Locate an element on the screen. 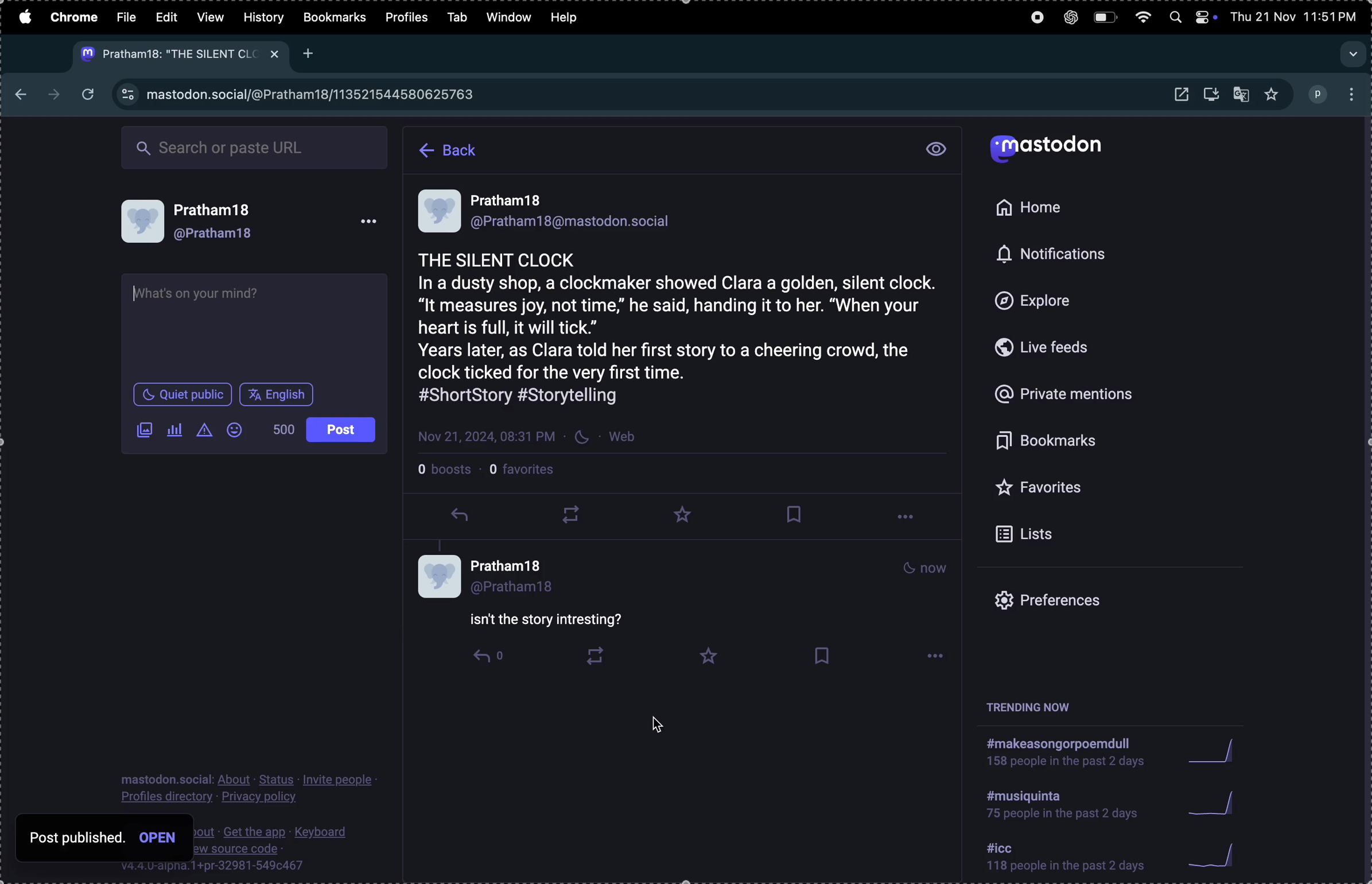 Image resolution: width=1372 pixels, height=884 pixels. notifications is located at coordinates (1052, 256).